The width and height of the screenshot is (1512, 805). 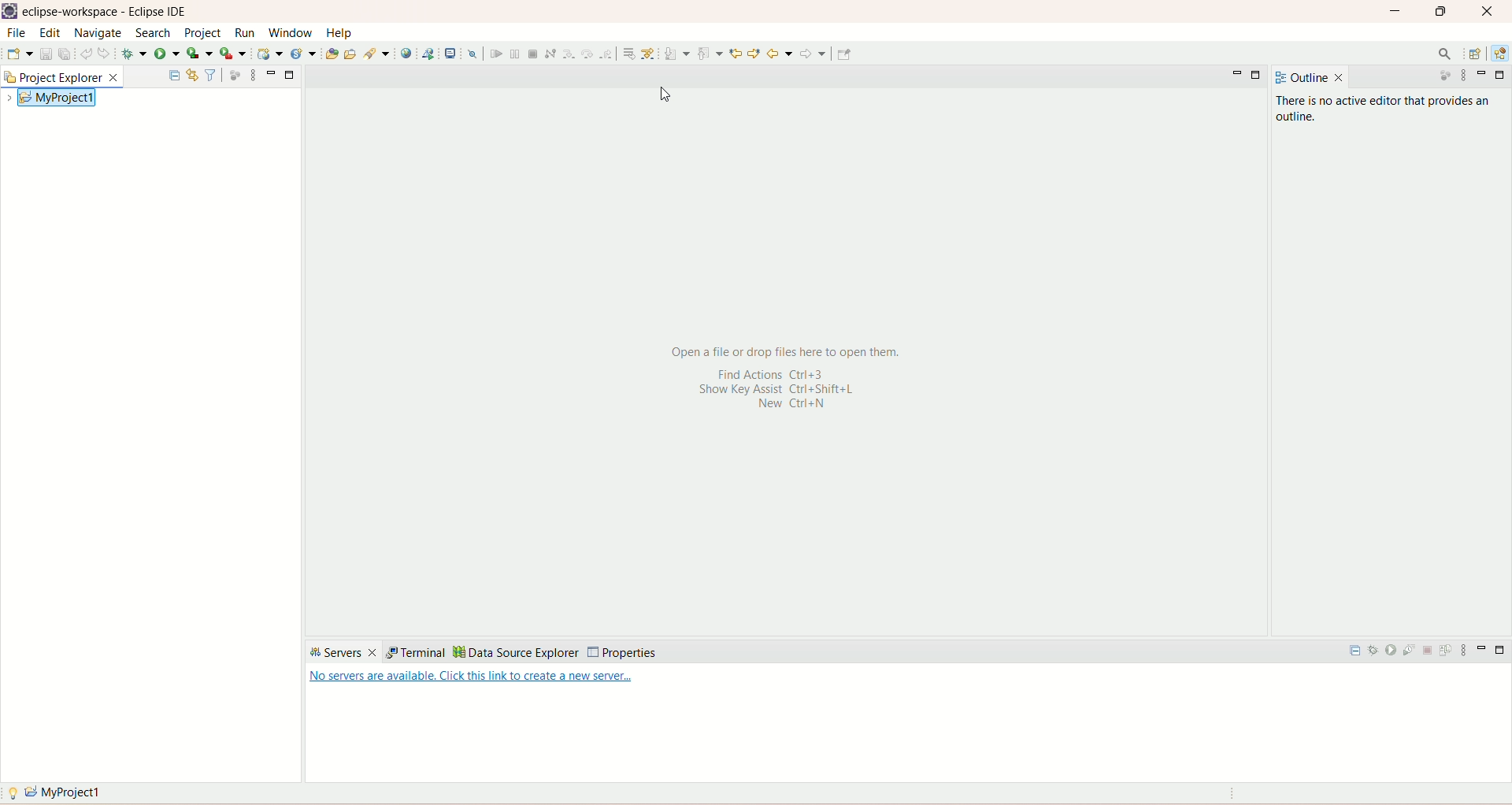 I want to click on drop to frame, so click(x=630, y=54).